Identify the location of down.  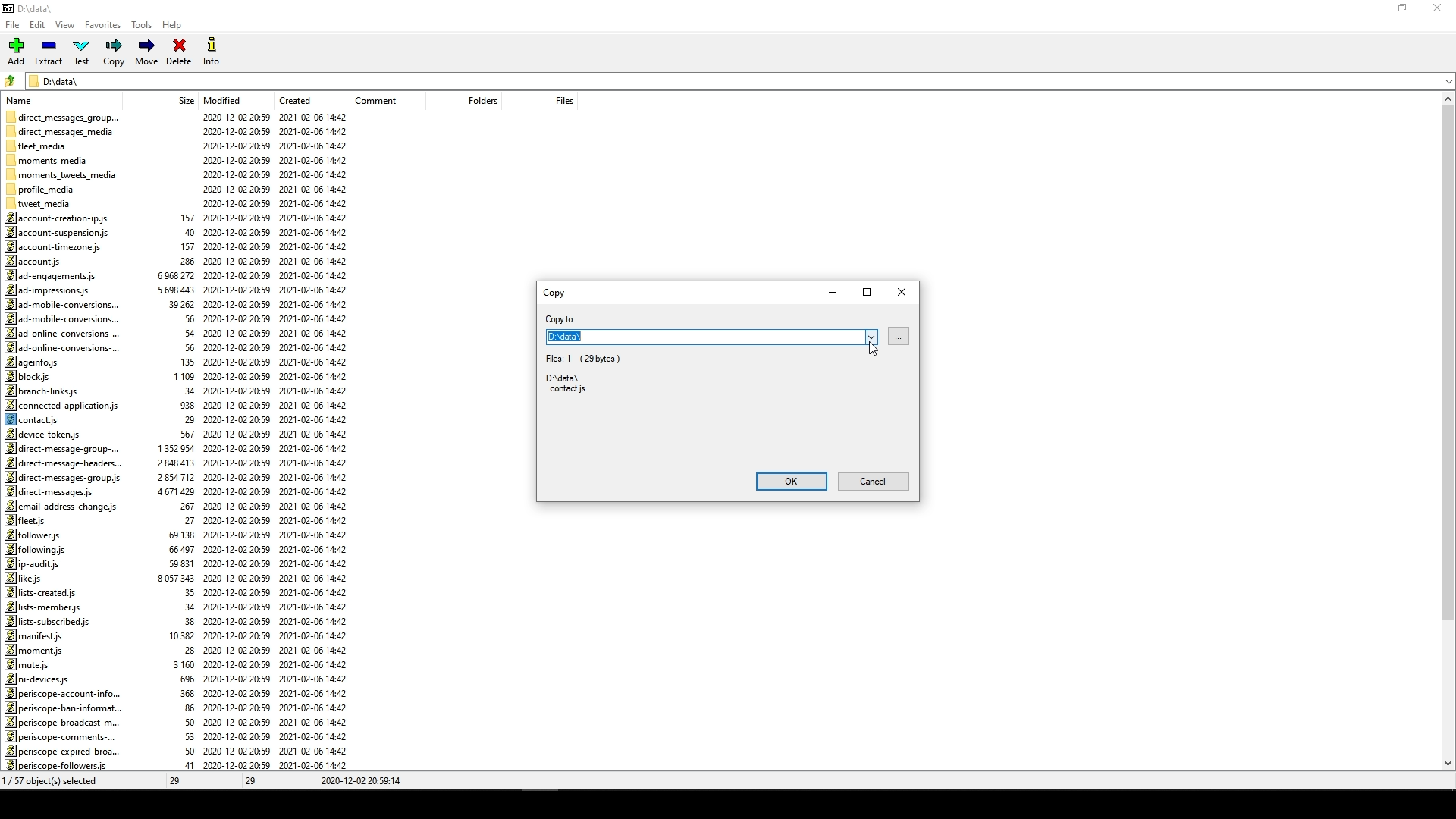
(1435, 86).